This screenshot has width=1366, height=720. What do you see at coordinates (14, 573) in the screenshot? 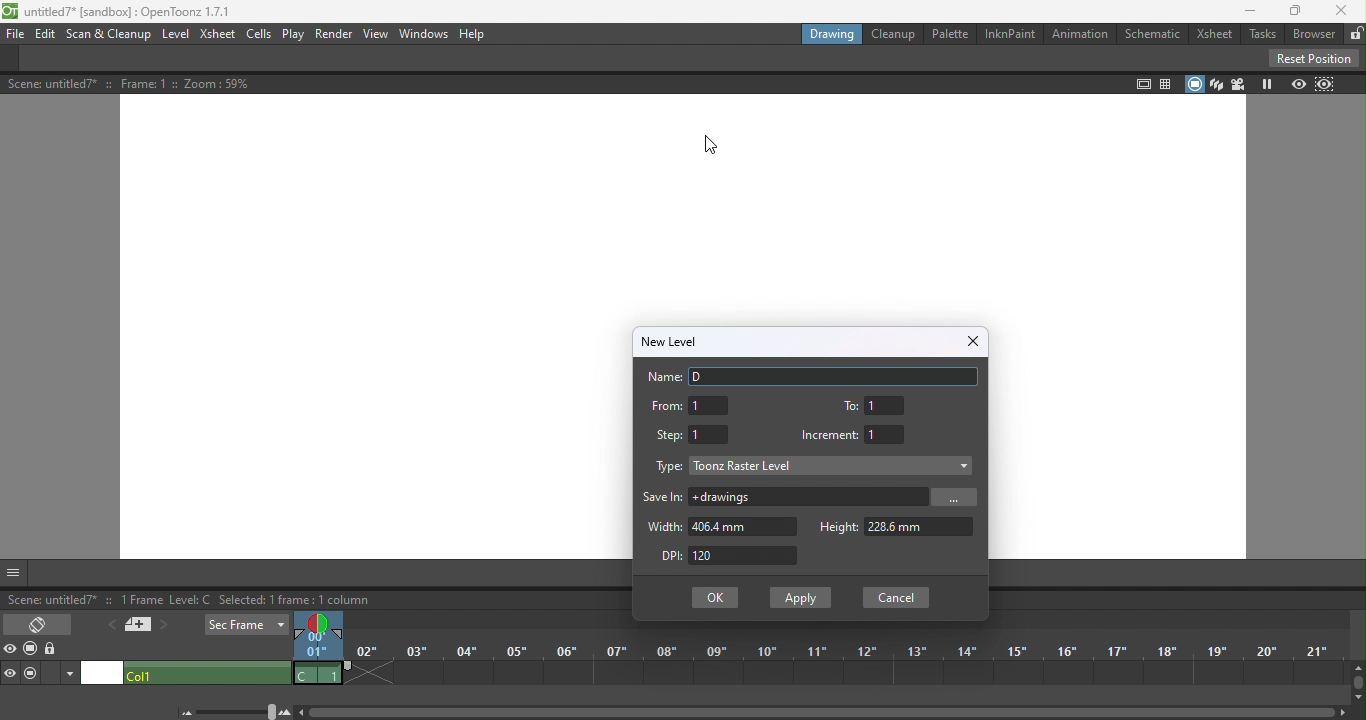
I see `GUI Show/Hide` at bounding box center [14, 573].